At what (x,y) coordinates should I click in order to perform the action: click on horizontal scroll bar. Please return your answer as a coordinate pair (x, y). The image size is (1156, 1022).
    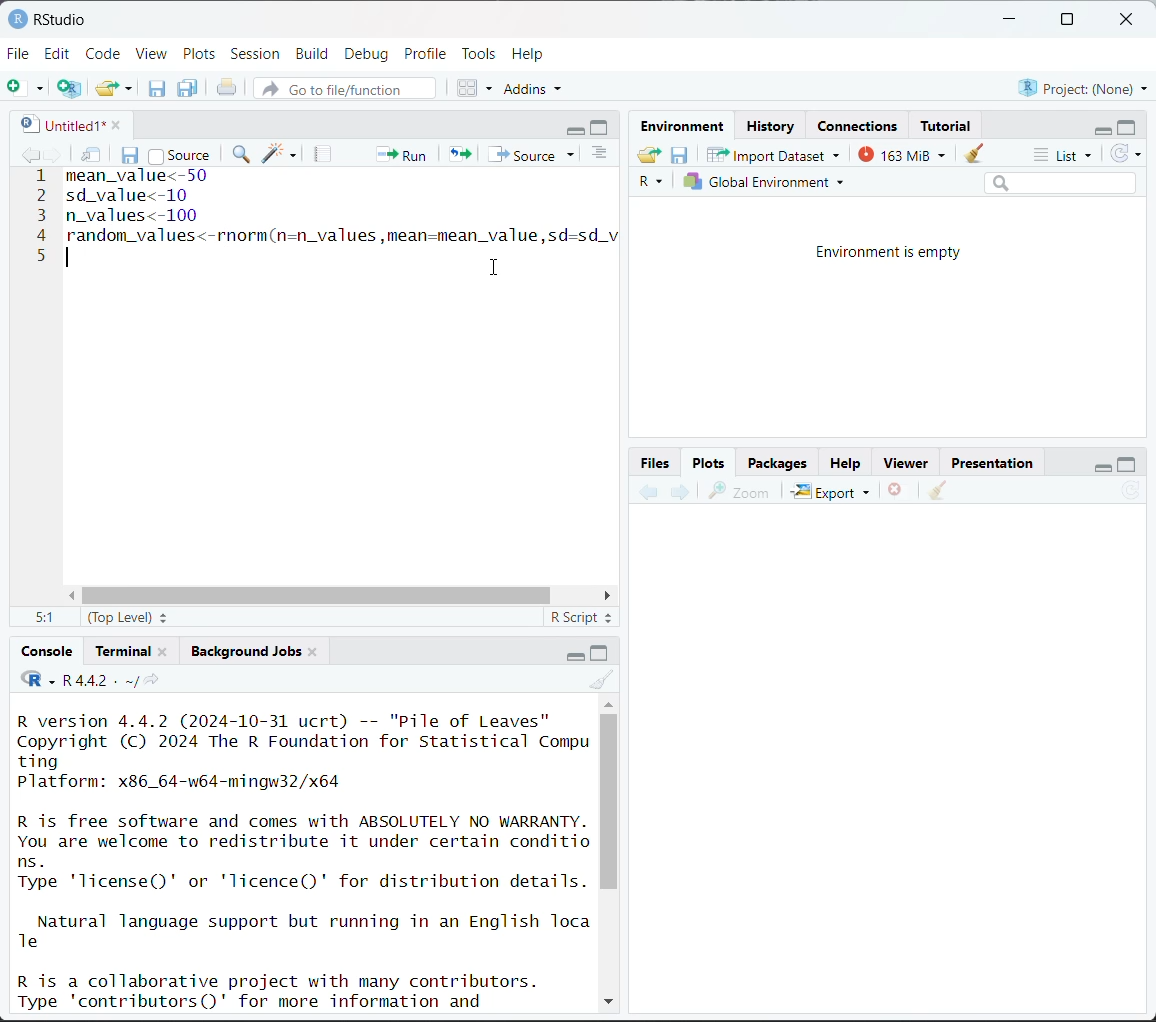
    Looking at the image, I should click on (343, 596).